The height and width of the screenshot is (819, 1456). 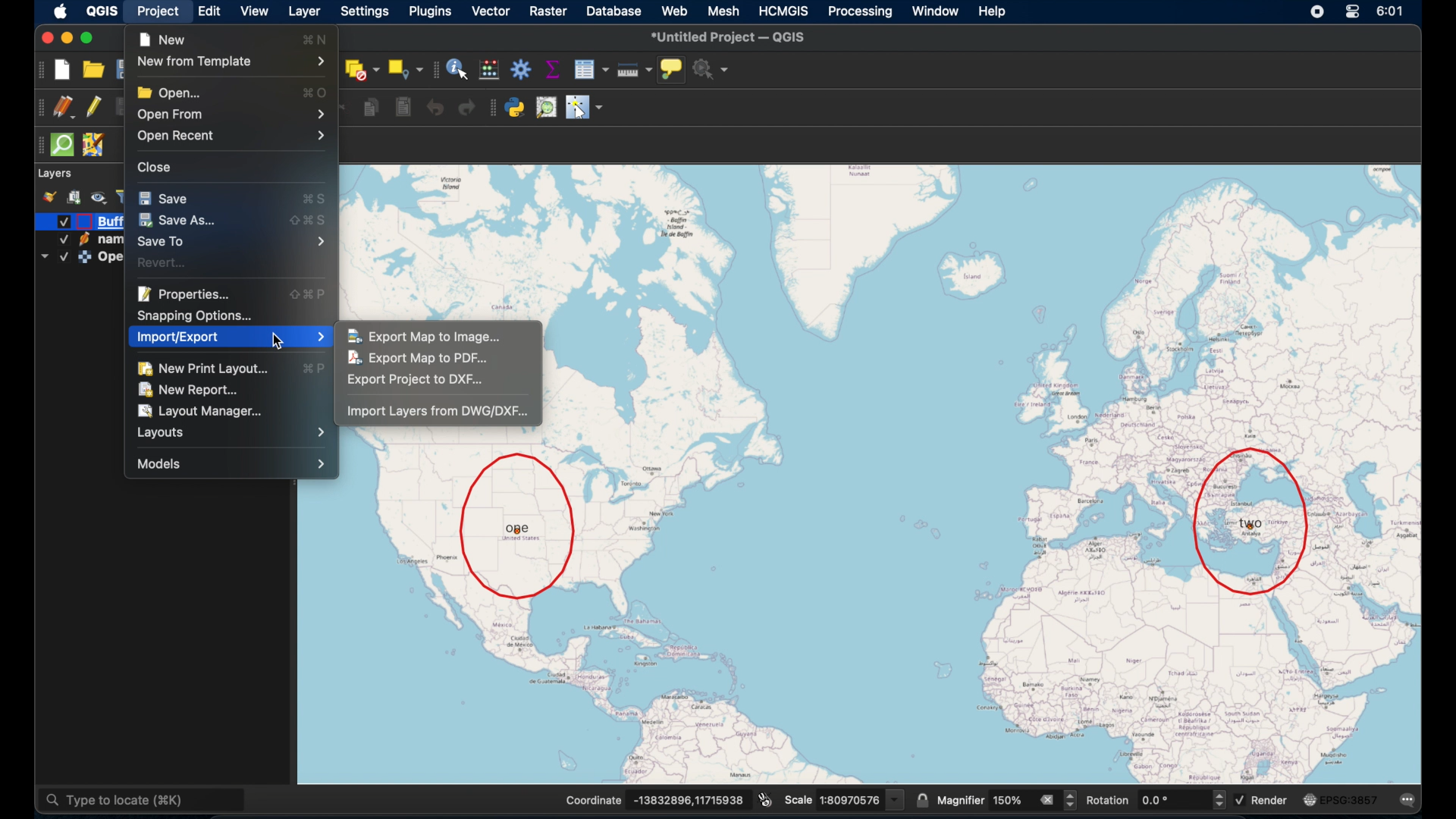 What do you see at coordinates (430, 11) in the screenshot?
I see `plugins` at bounding box center [430, 11].